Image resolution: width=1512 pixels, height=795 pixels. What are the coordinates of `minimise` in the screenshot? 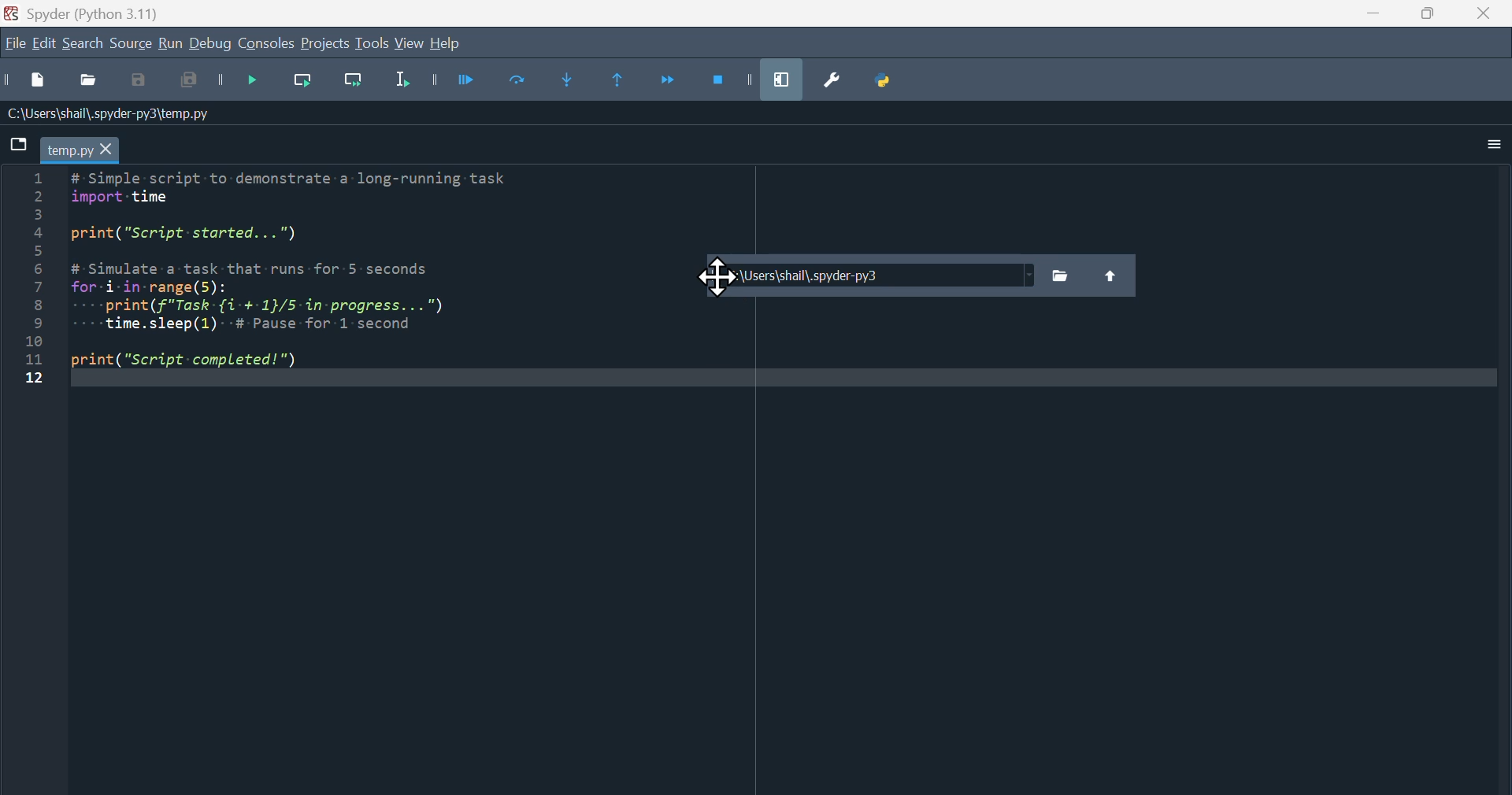 It's located at (1377, 18).